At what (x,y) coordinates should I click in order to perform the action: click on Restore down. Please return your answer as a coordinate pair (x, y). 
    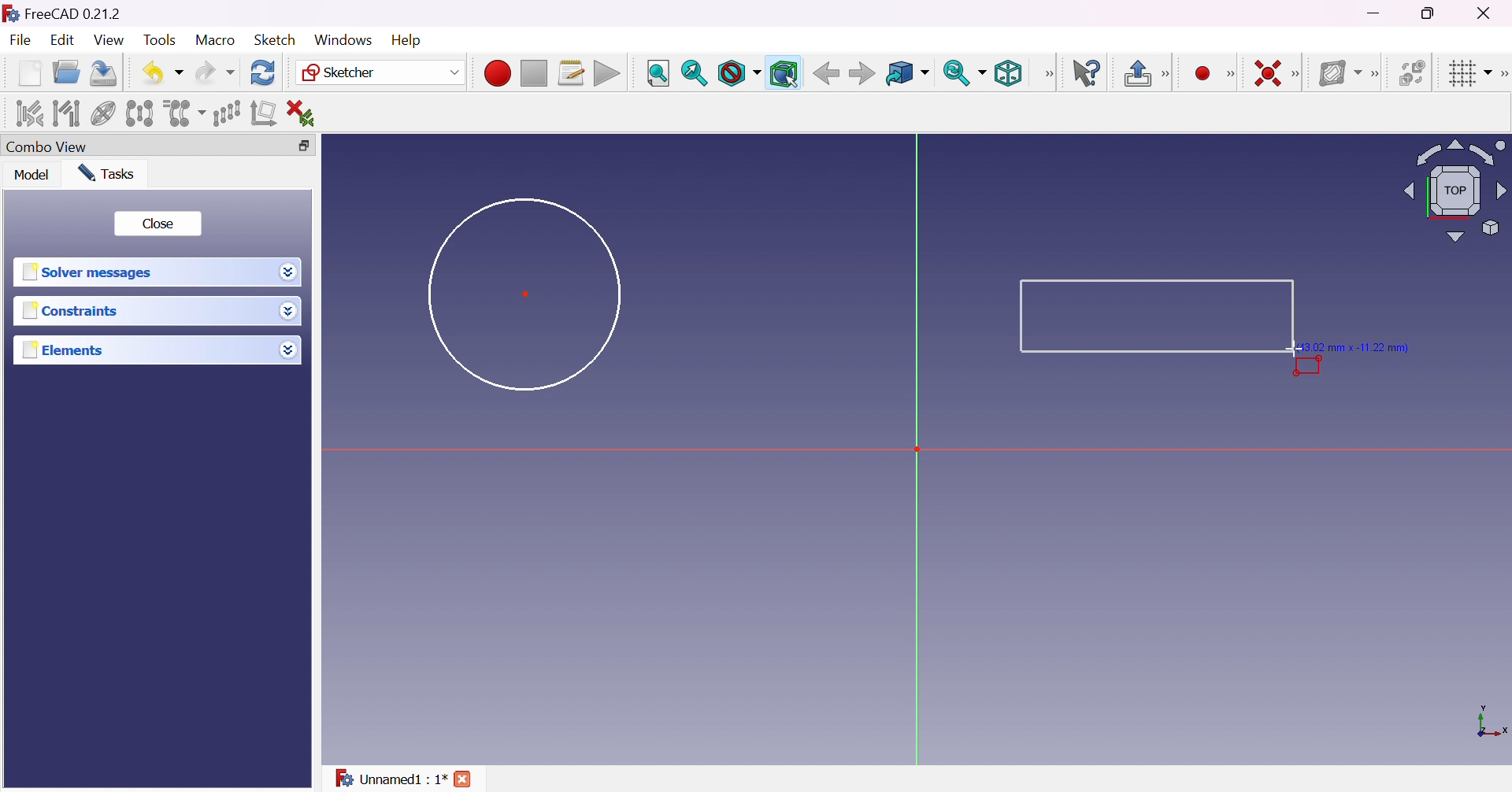
    Looking at the image, I should click on (1430, 13).